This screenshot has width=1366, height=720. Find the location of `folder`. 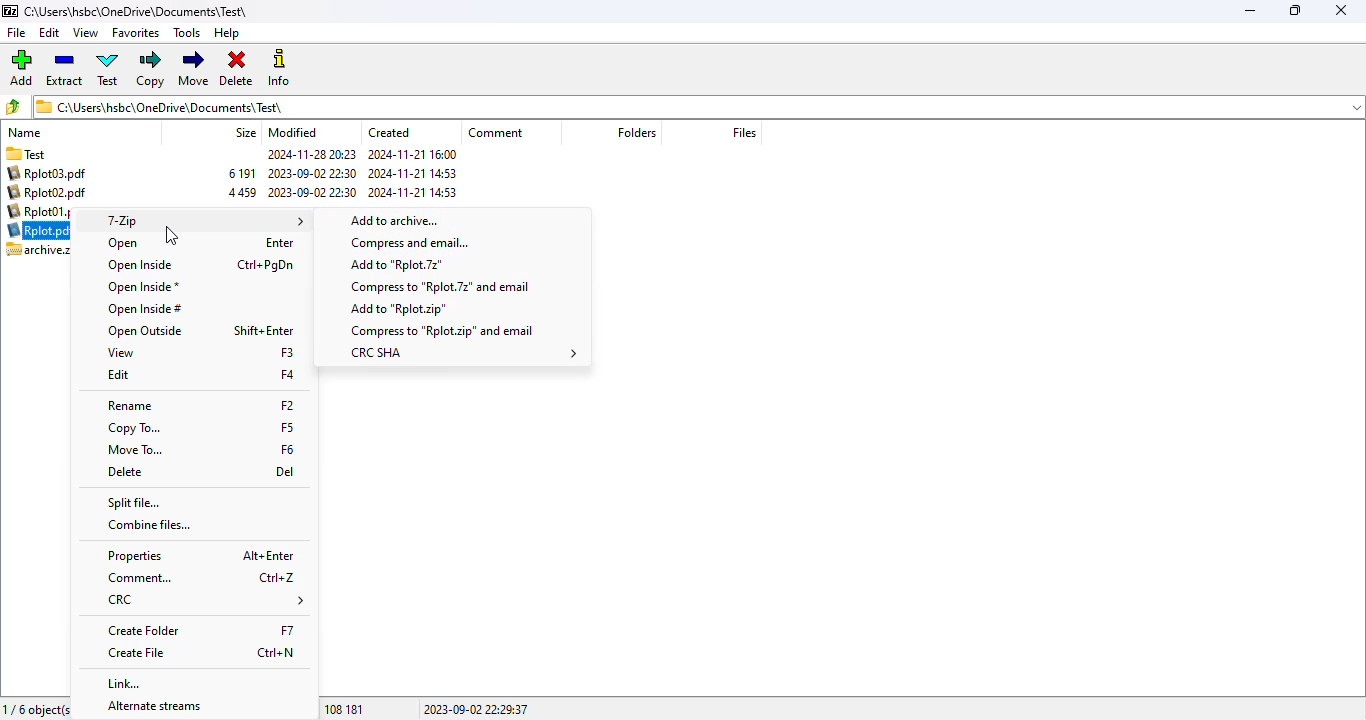

folder is located at coordinates (40, 152).